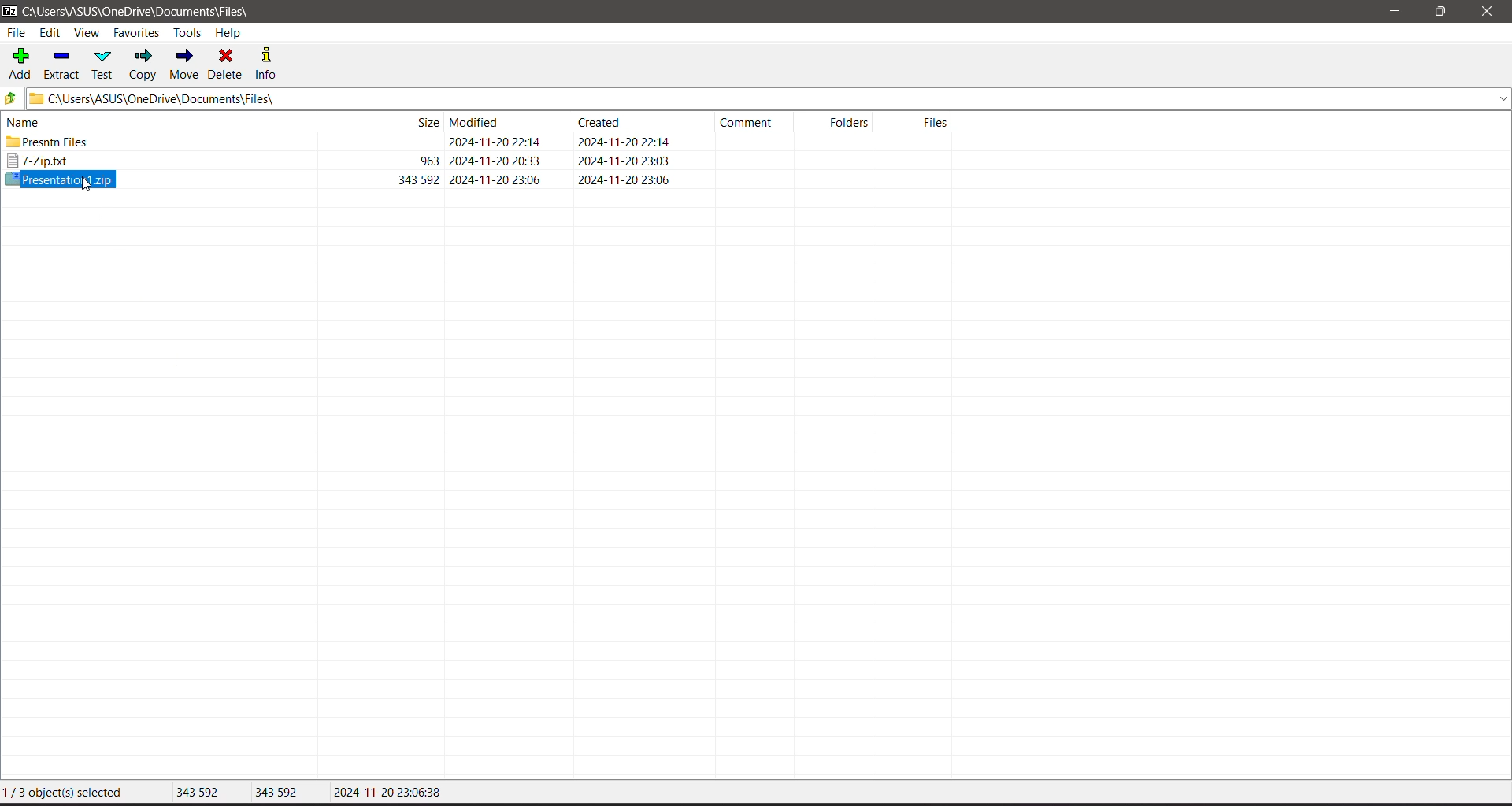 Image resolution: width=1512 pixels, height=806 pixels. What do you see at coordinates (66, 794) in the screenshot?
I see `1/3 object(s) selecte` at bounding box center [66, 794].